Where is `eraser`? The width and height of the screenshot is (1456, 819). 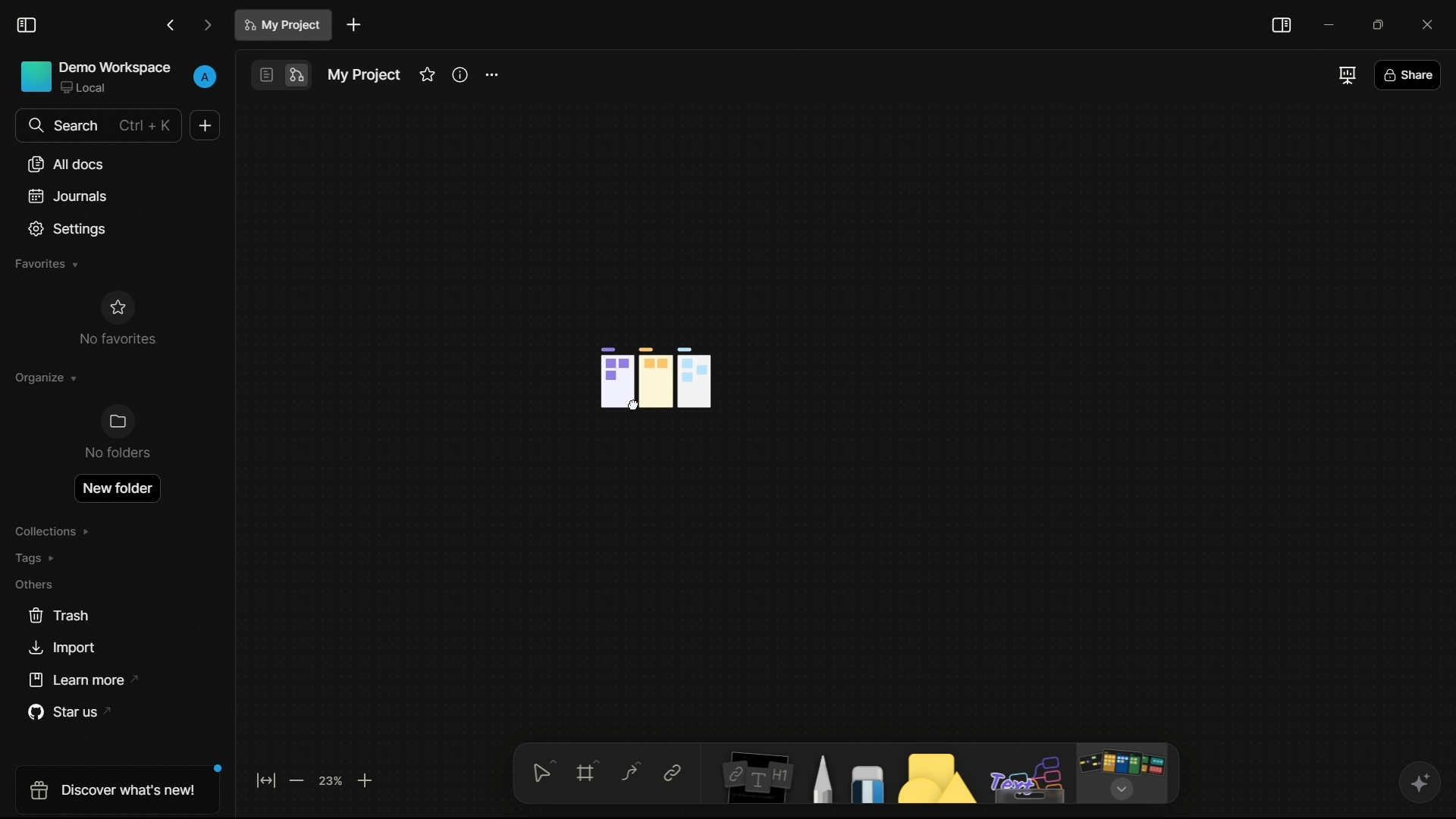
eraser is located at coordinates (868, 783).